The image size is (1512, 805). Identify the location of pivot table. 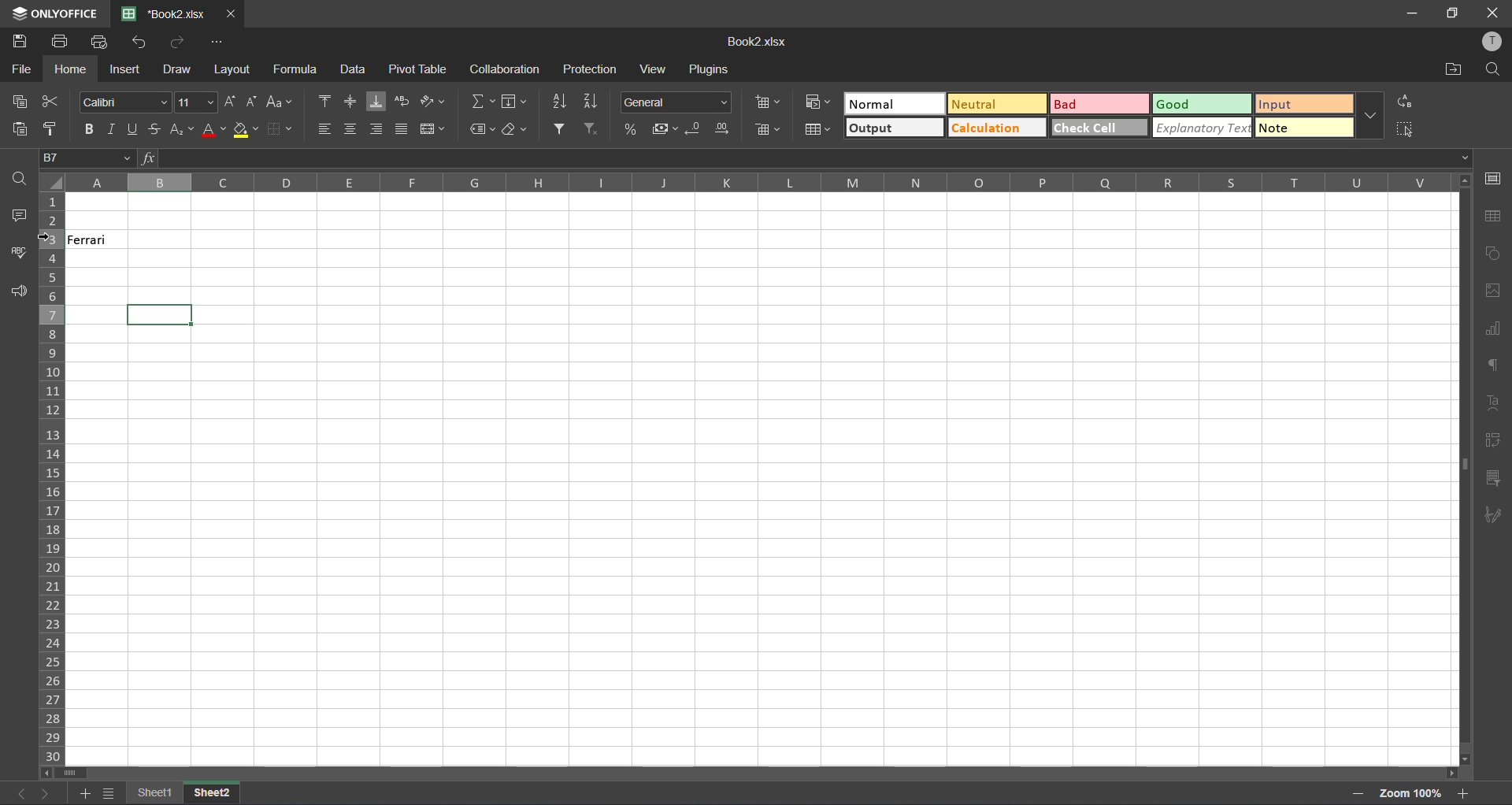
(1494, 443).